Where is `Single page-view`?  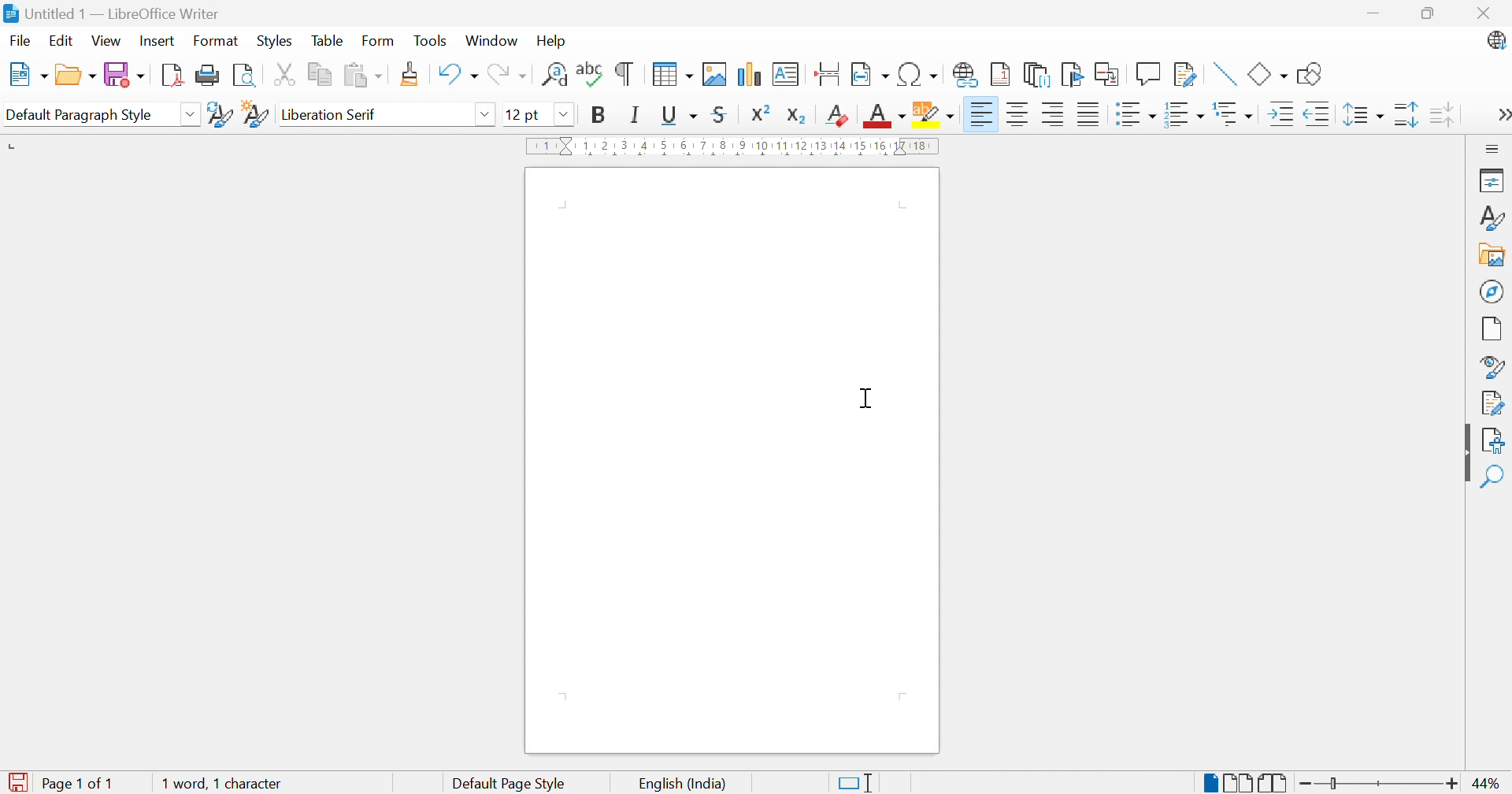 Single page-view is located at coordinates (1209, 784).